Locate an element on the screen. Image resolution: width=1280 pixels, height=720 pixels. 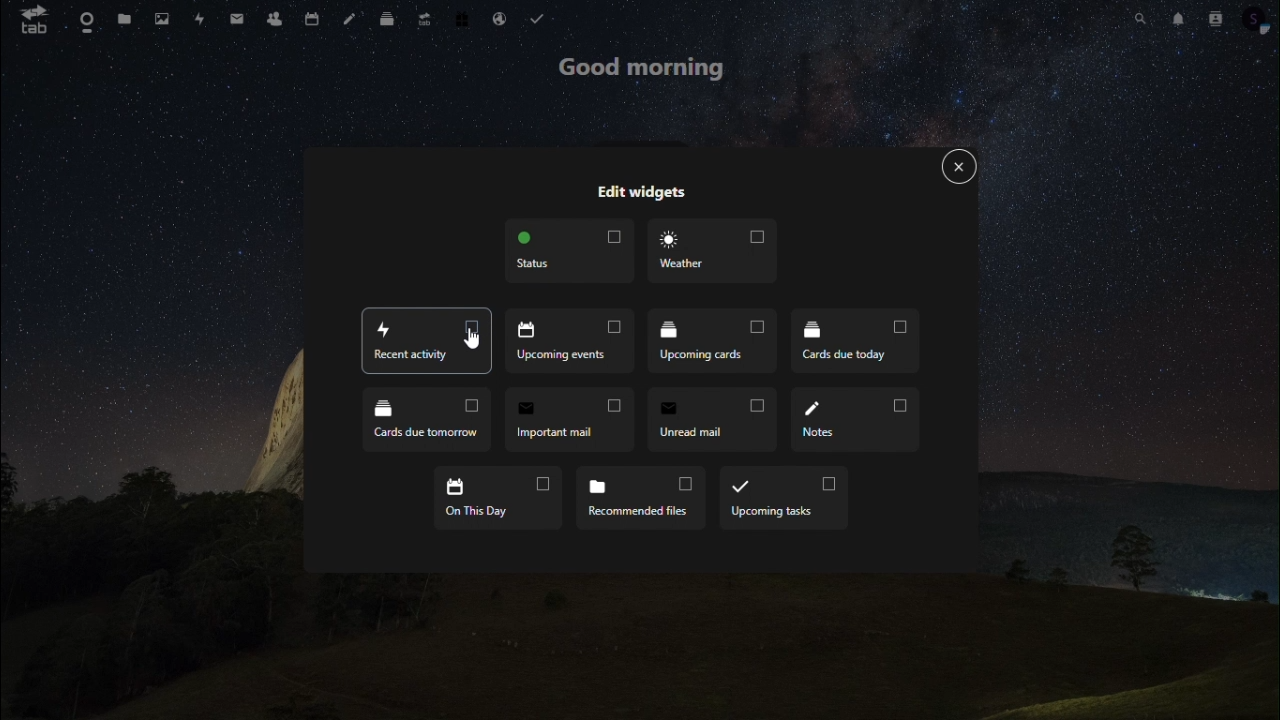
contacts is located at coordinates (1216, 23).